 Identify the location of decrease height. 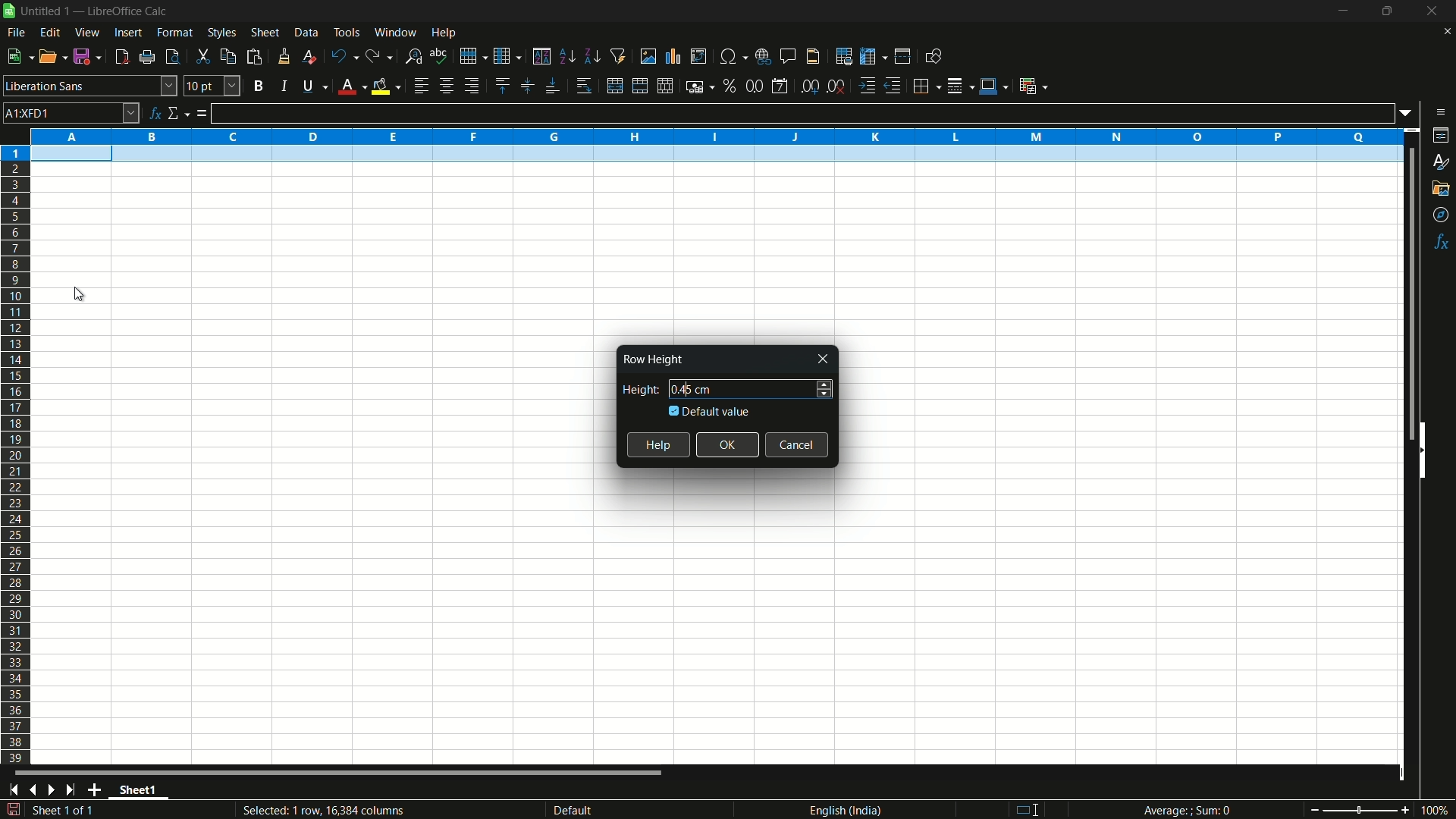
(824, 395).